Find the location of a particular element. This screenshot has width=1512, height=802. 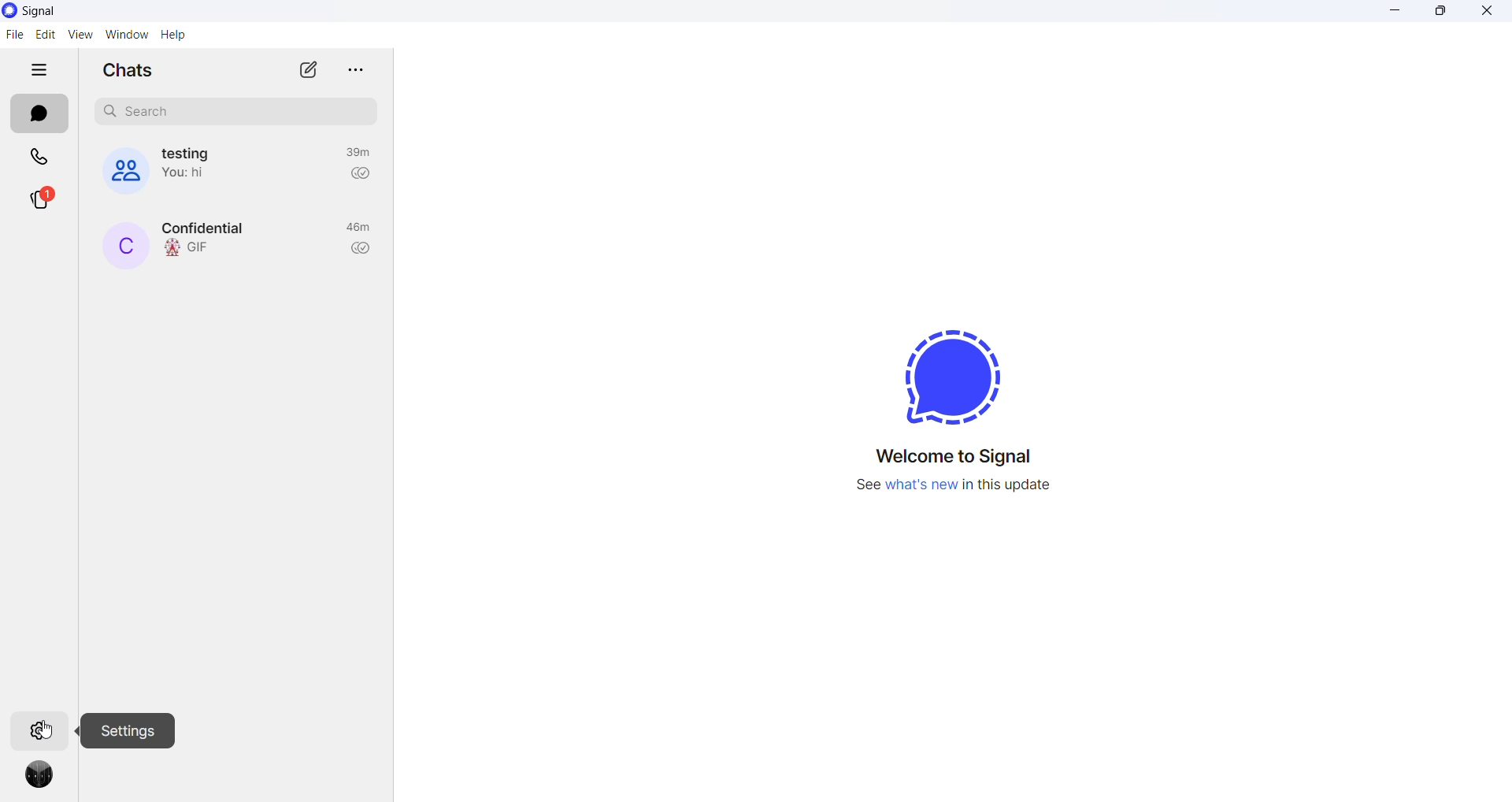

settings is located at coordinates (125, 730).